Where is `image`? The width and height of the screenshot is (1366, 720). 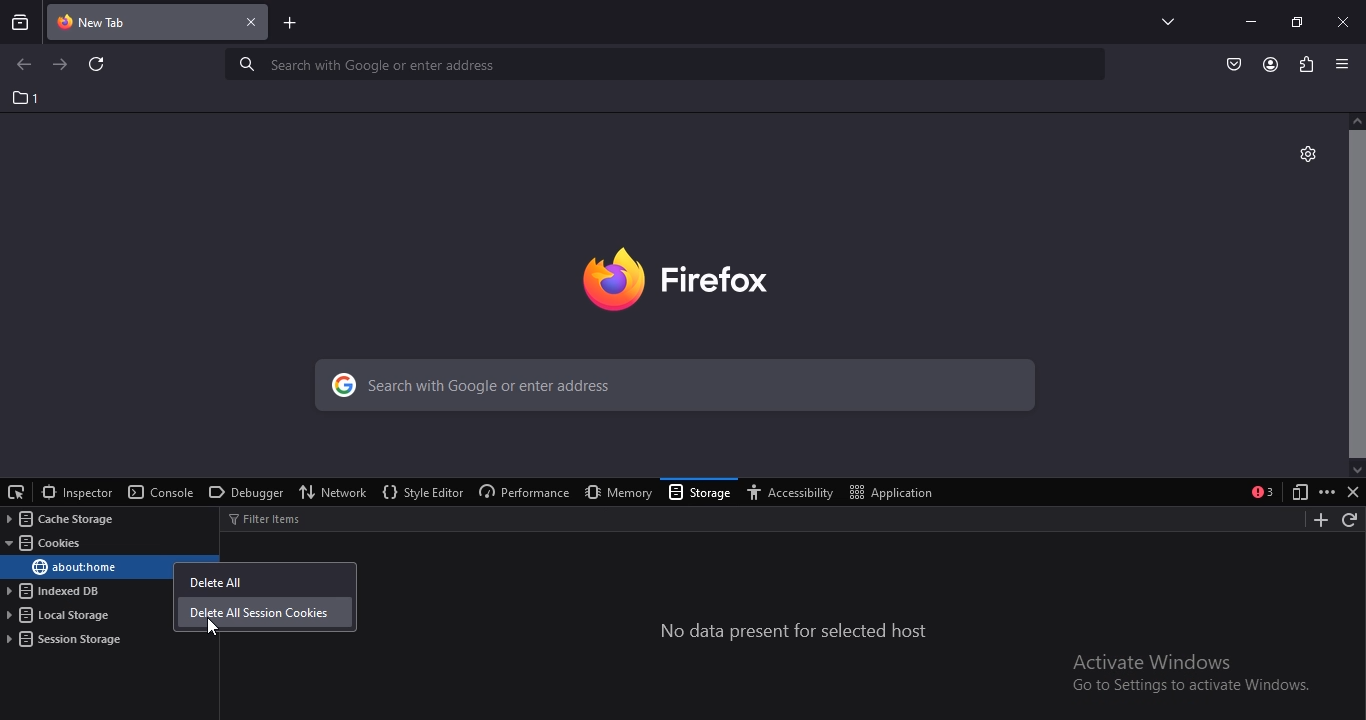 image is located at coordinates (706, 275).